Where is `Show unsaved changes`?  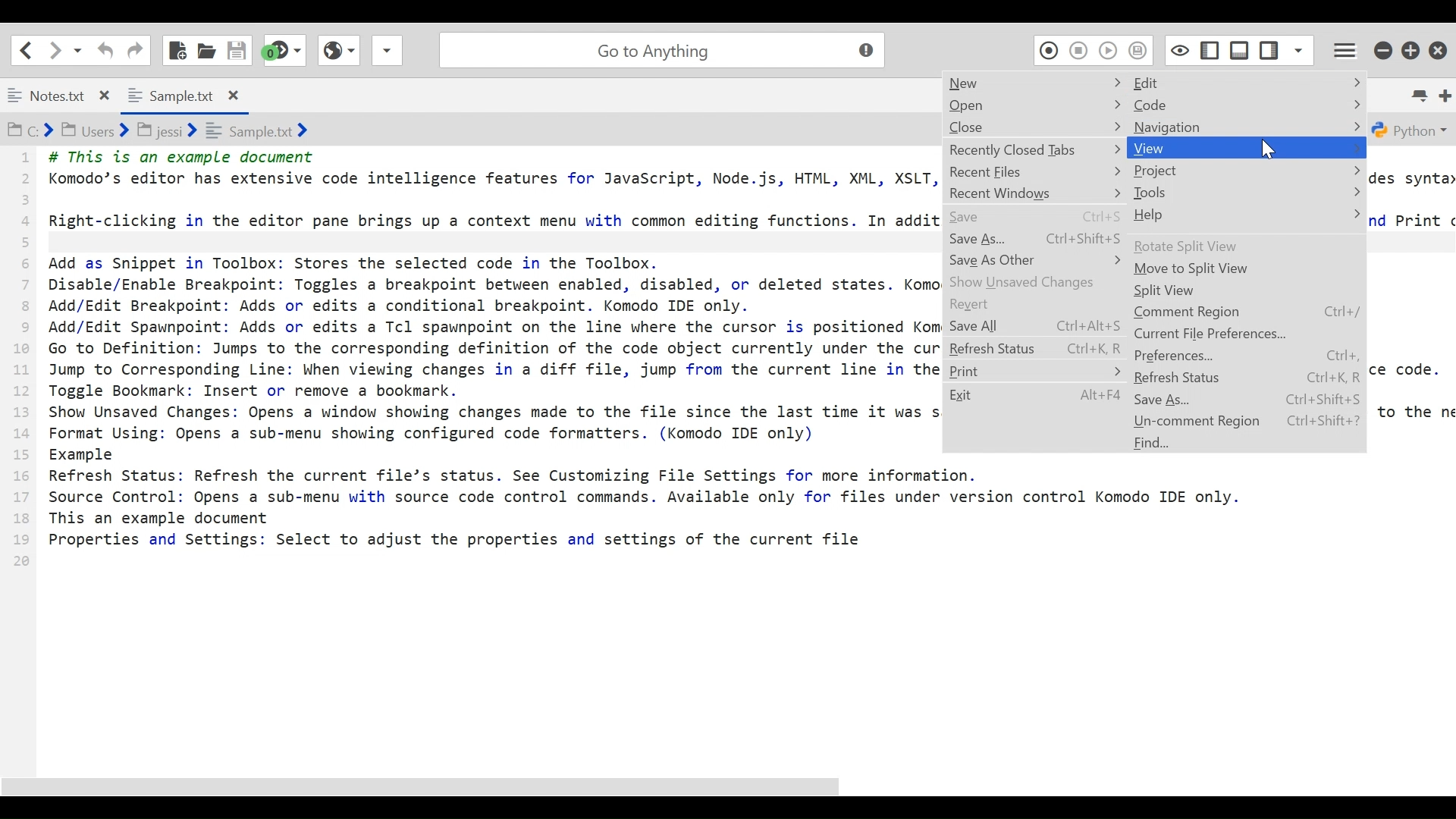
Show unsaved changes is located at coordinates (1037, 281).